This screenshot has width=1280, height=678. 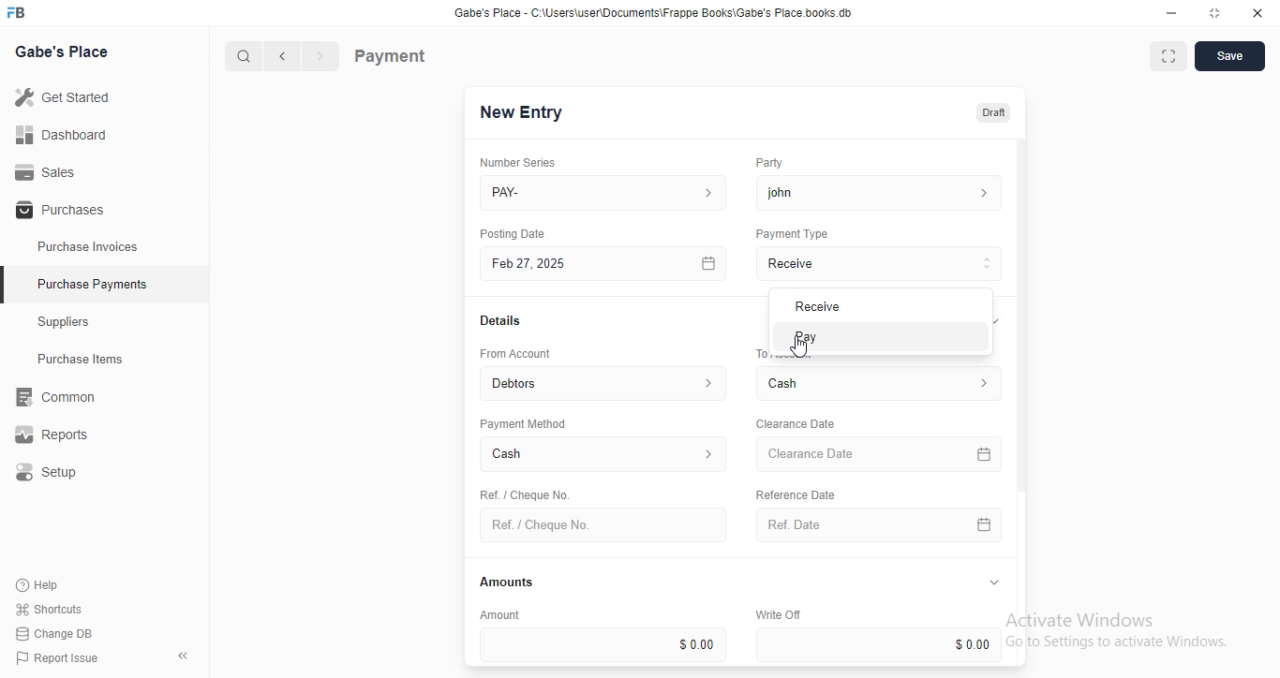 What do you see at coordinates (245, 57) in the screenshot?
I see `search` at bounding box center [245, 57].